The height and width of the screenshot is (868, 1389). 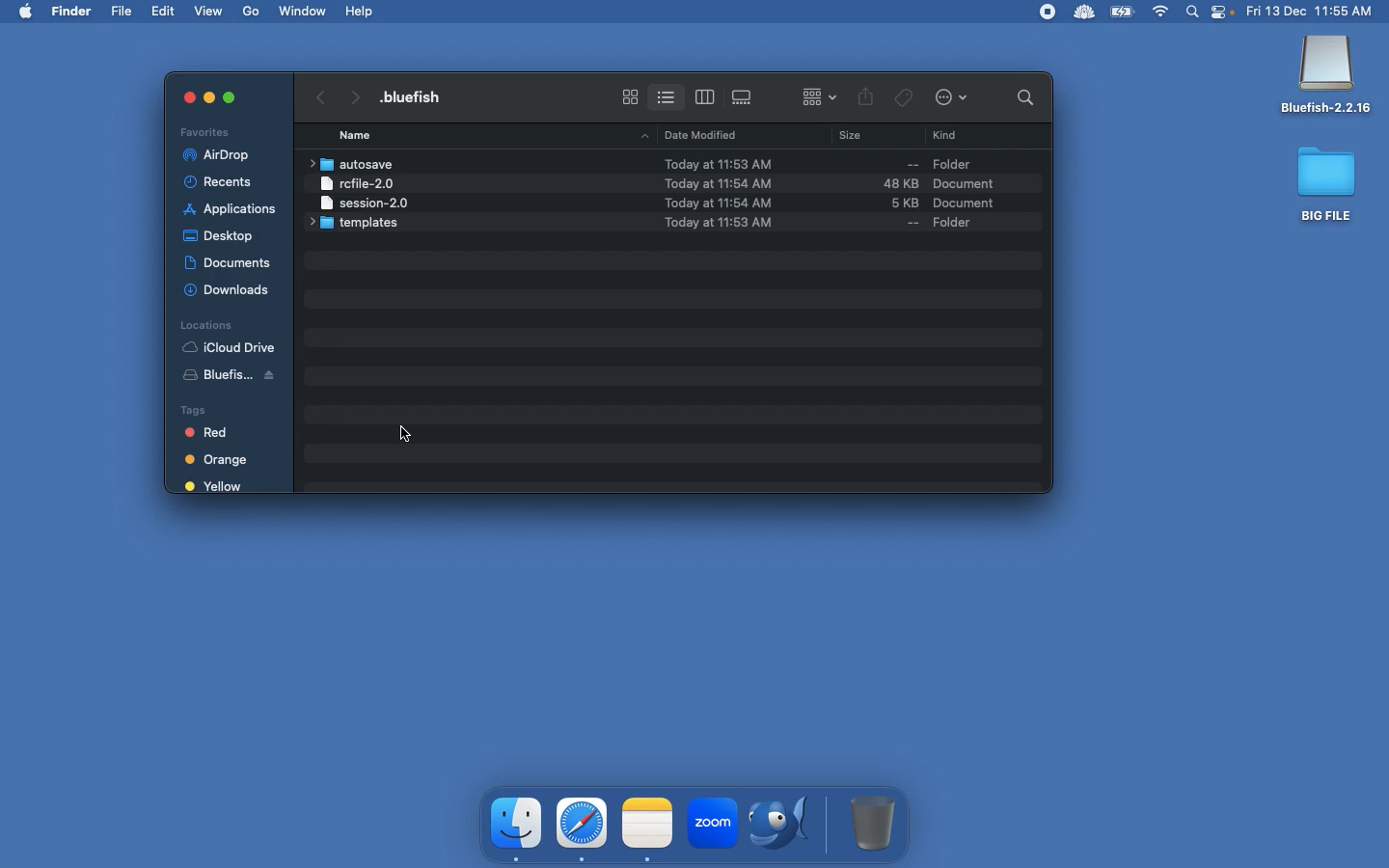 What do you see at coordinates (694, 134) in the screenshot?
I see `date modified` at bounding box center [694, 134].